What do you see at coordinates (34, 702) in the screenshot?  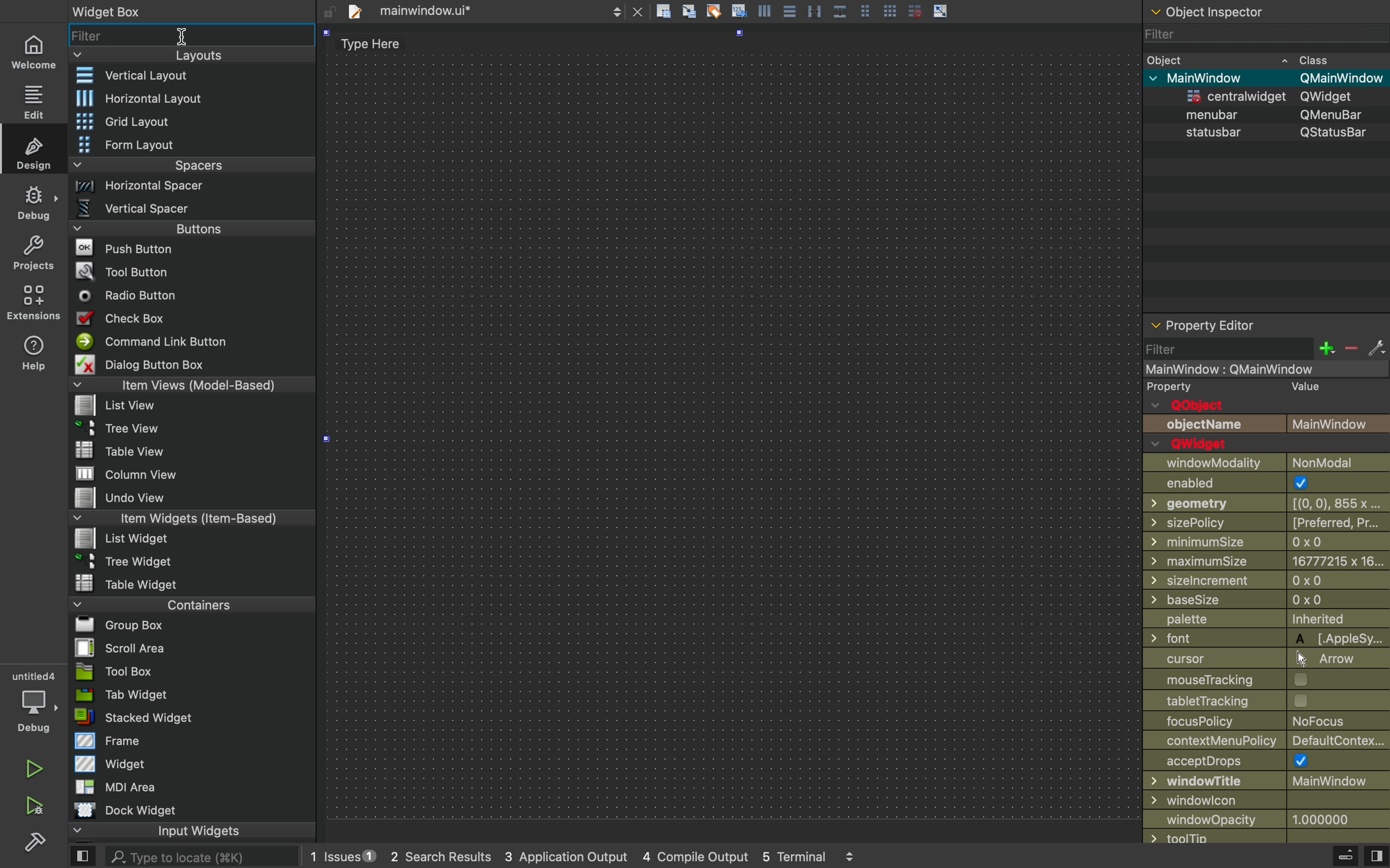 I see `debug` at bounding box center [34, 702].